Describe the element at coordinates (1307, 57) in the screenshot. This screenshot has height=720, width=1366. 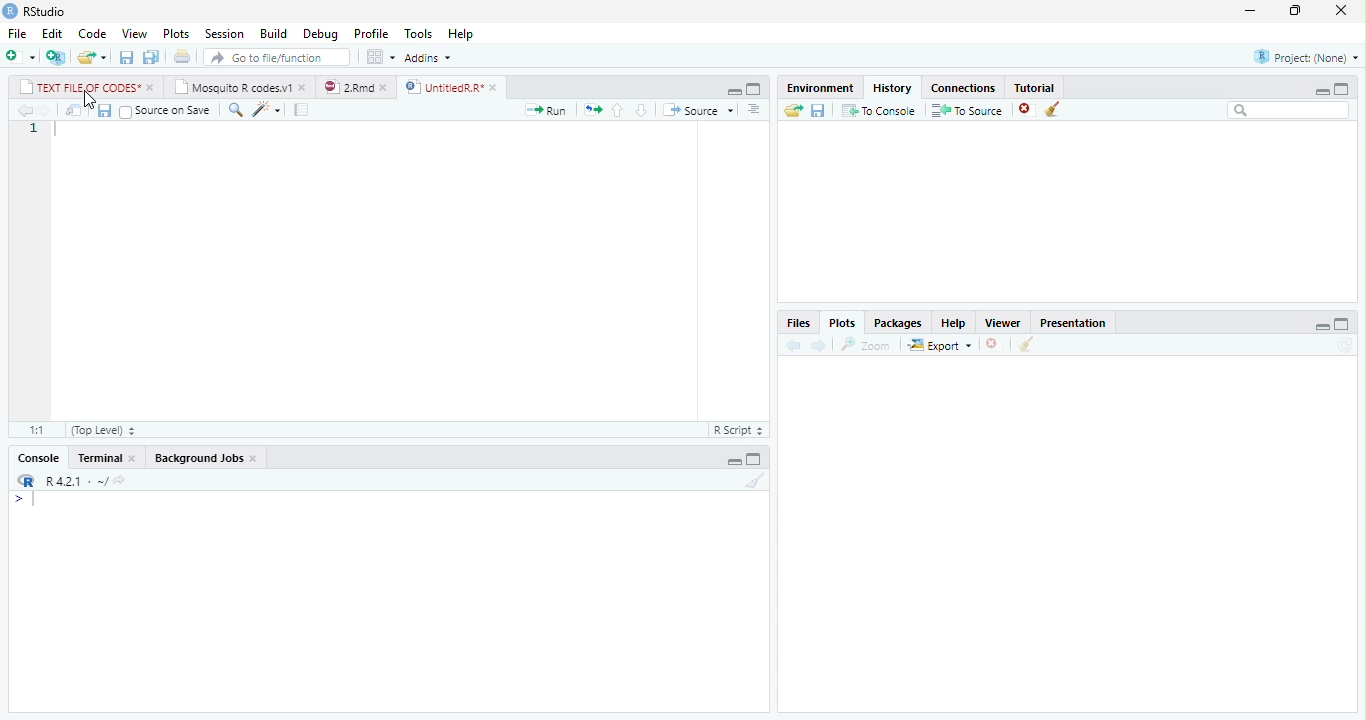
I see `Project(None)` at that location.